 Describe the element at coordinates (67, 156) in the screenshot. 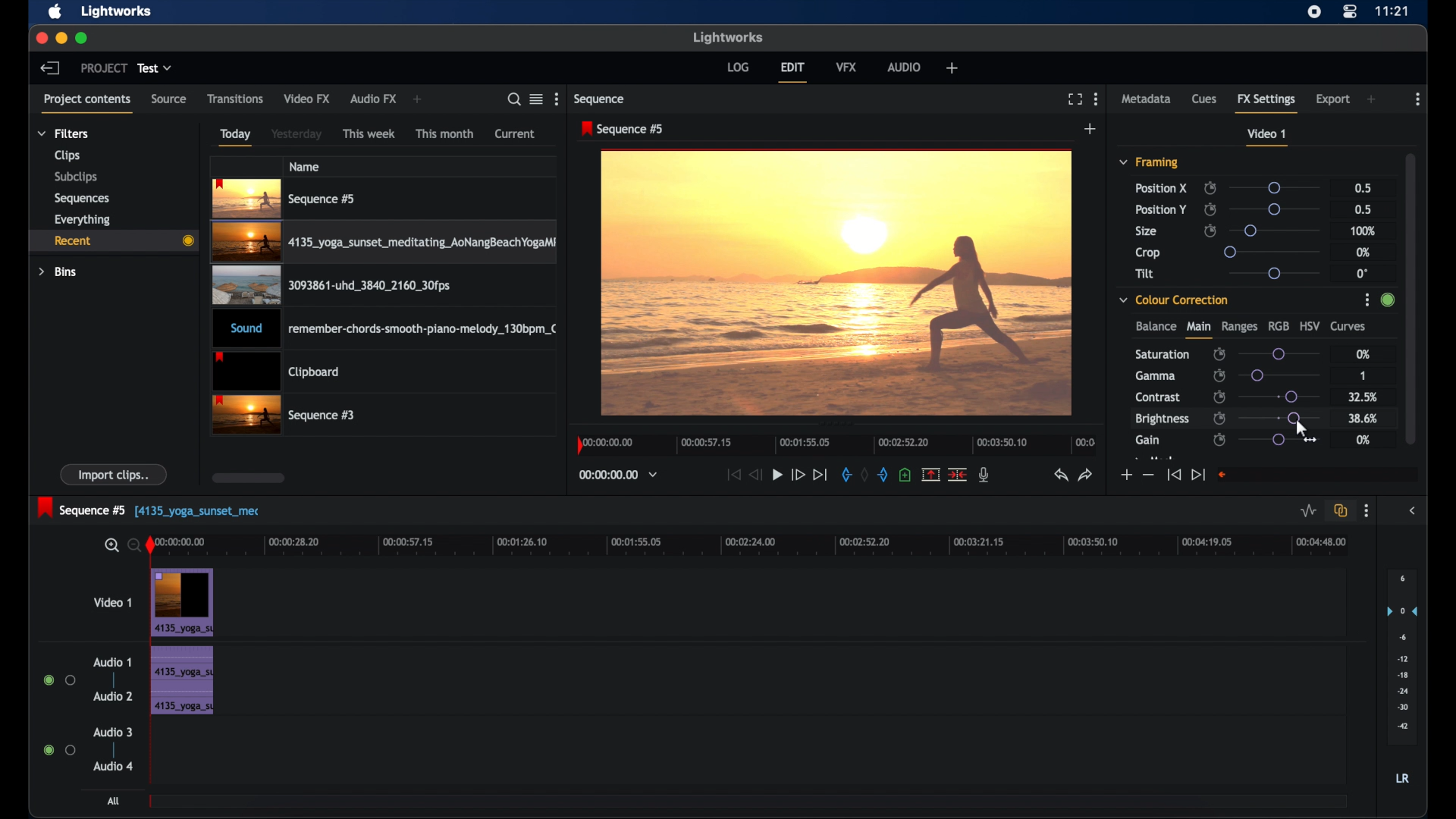

I see `clips` at that location.